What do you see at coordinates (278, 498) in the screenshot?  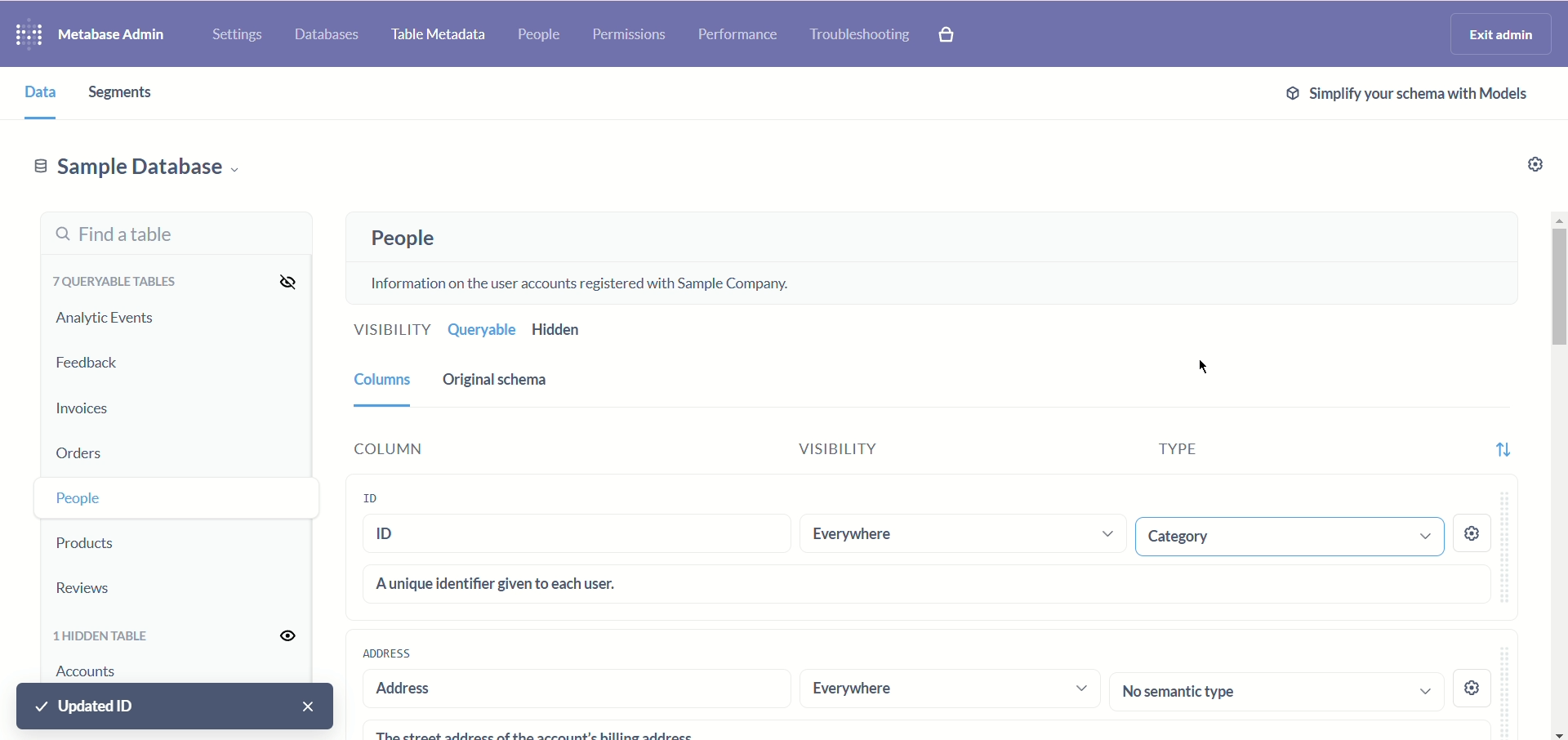 I see `Hide` at bounding box center [278, 498].